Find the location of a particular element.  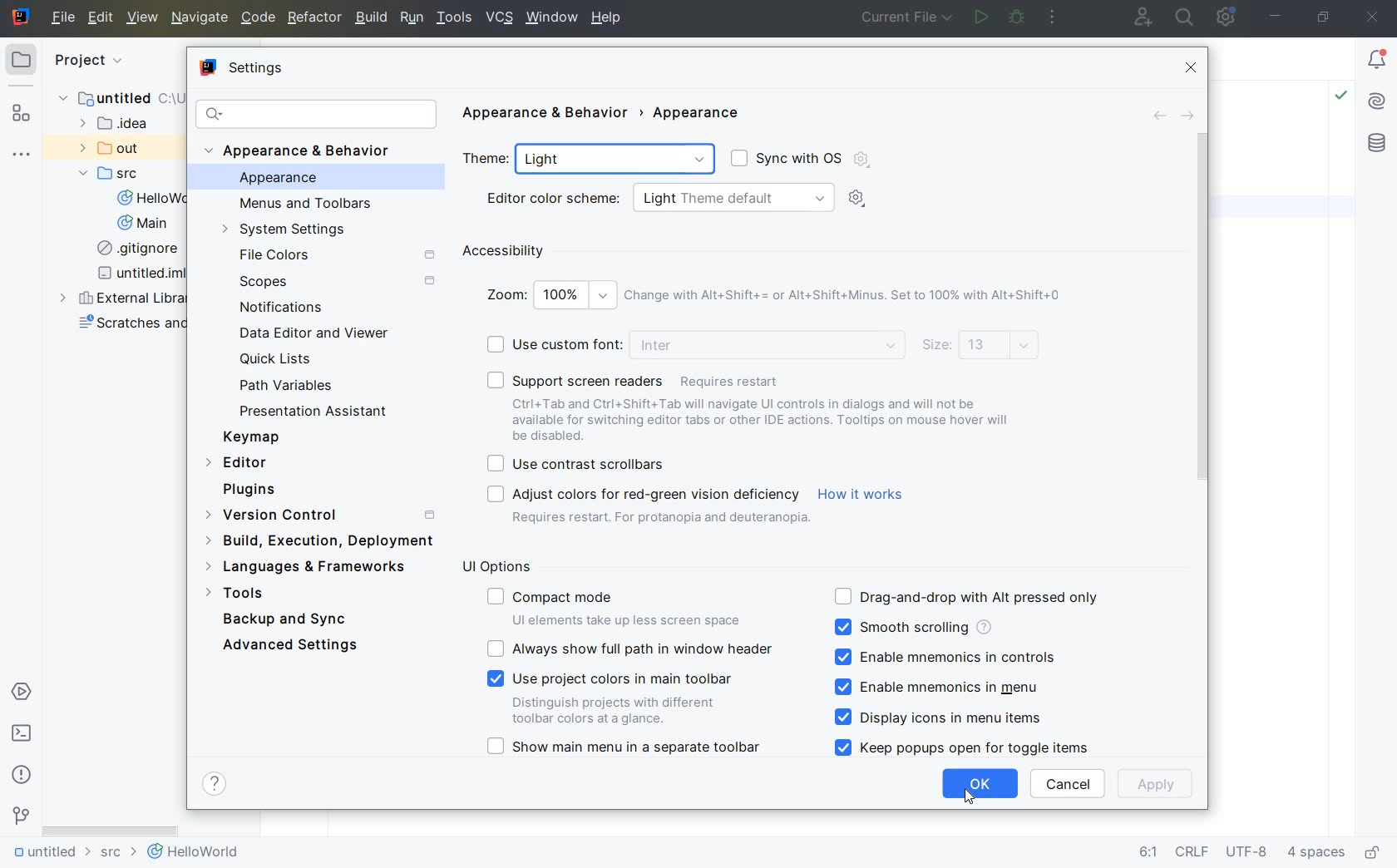

close is located at coordinates (1374, 18).